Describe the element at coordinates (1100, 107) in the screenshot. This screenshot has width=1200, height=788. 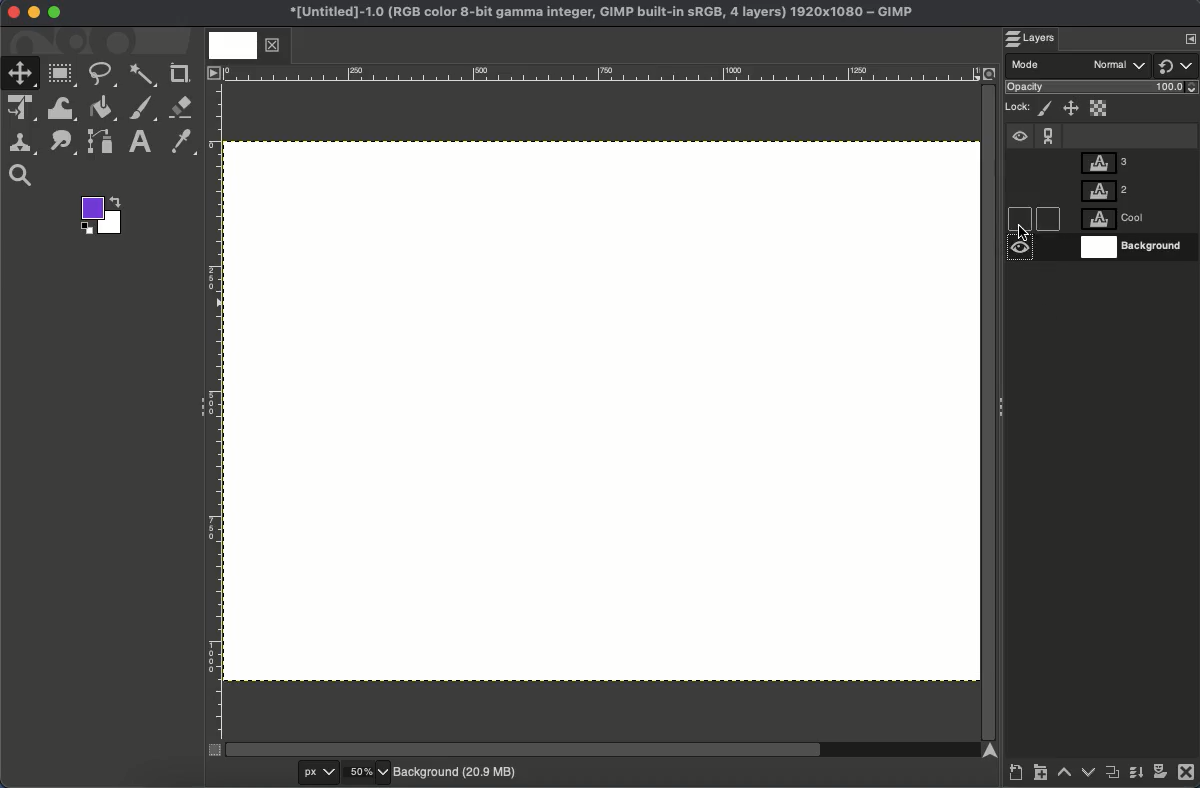
I see `Alpha` at that location.